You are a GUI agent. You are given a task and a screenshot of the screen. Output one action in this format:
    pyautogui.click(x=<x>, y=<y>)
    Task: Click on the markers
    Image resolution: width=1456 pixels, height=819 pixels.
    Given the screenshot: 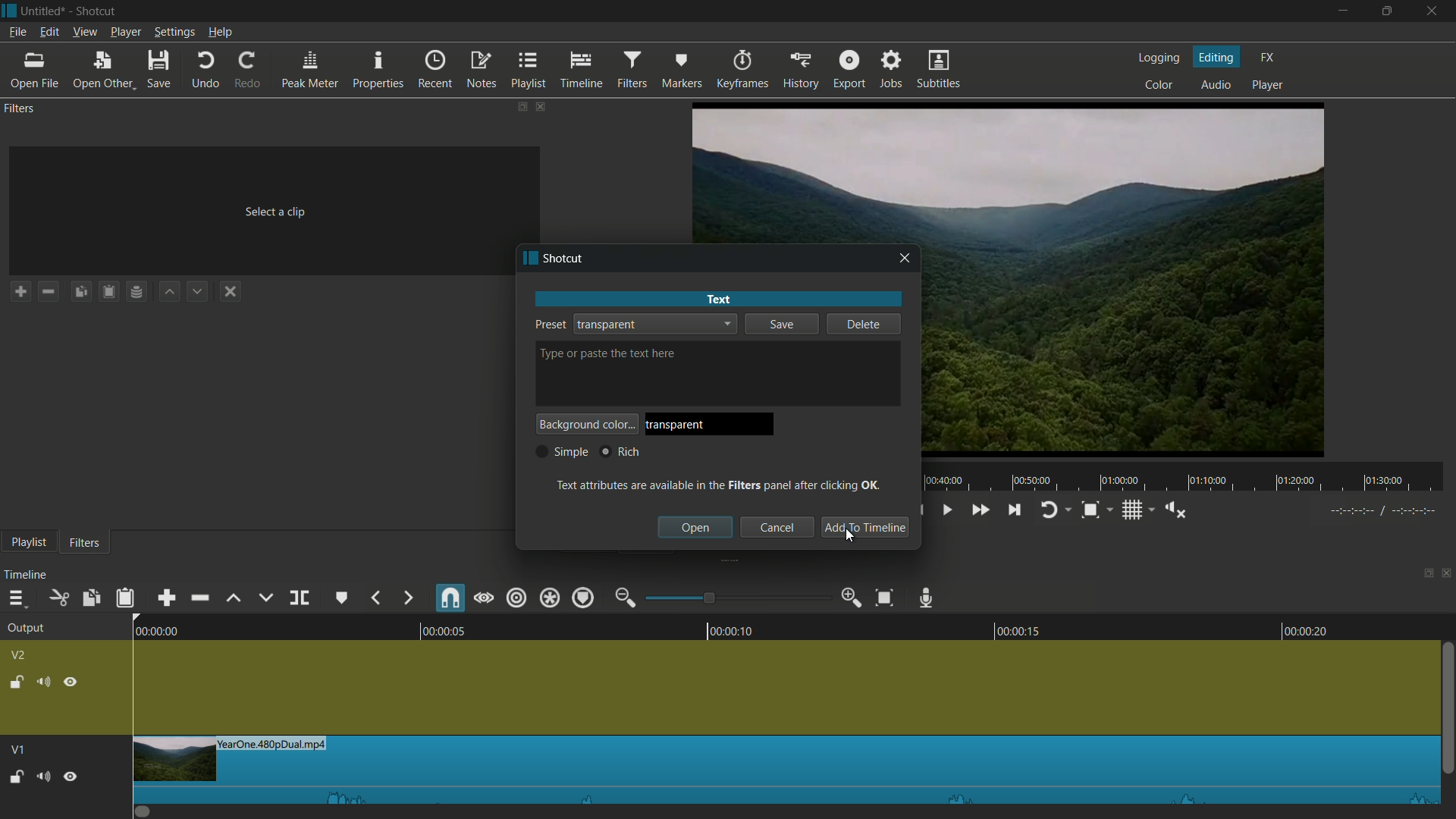 What is the action you would take?
    pyautogui.click(x=680, y=71)
    